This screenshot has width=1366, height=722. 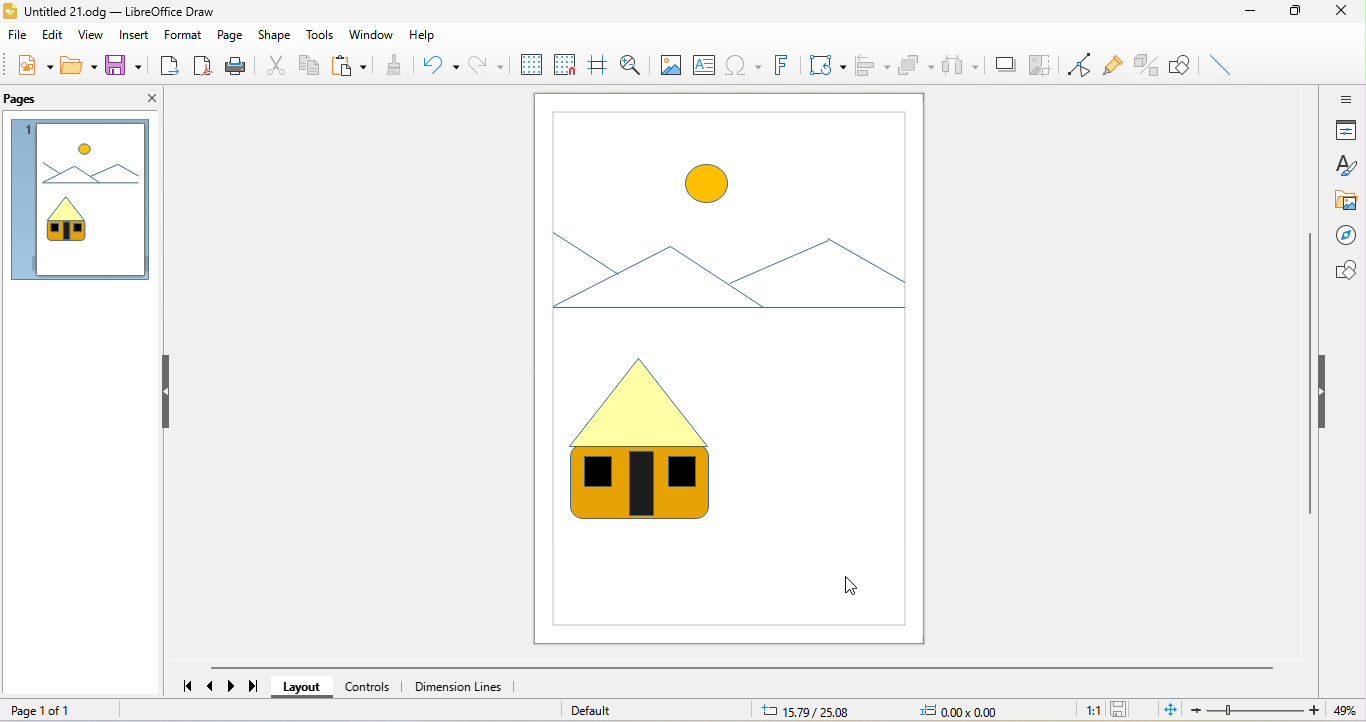 I want to click on hide, so click(x=161, y=391).